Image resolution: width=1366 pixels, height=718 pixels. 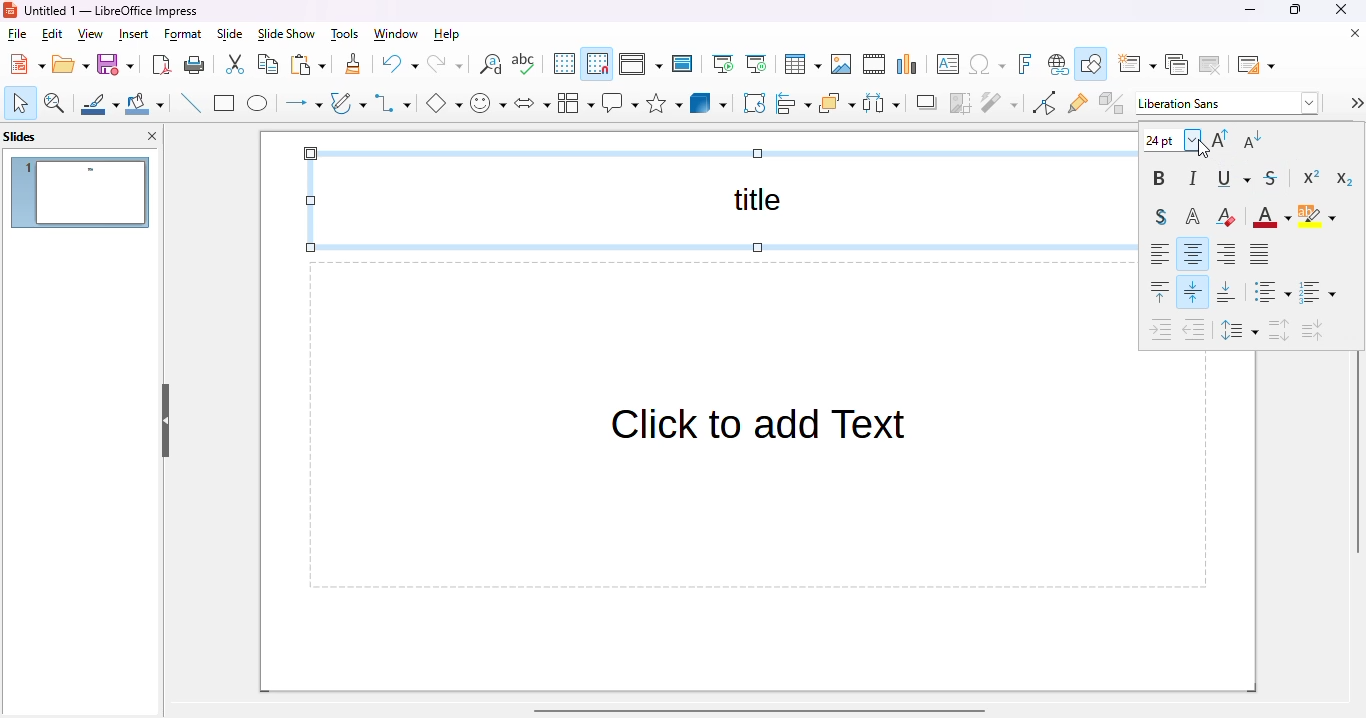 I want to click on arrange, so click(x=837, y=103).